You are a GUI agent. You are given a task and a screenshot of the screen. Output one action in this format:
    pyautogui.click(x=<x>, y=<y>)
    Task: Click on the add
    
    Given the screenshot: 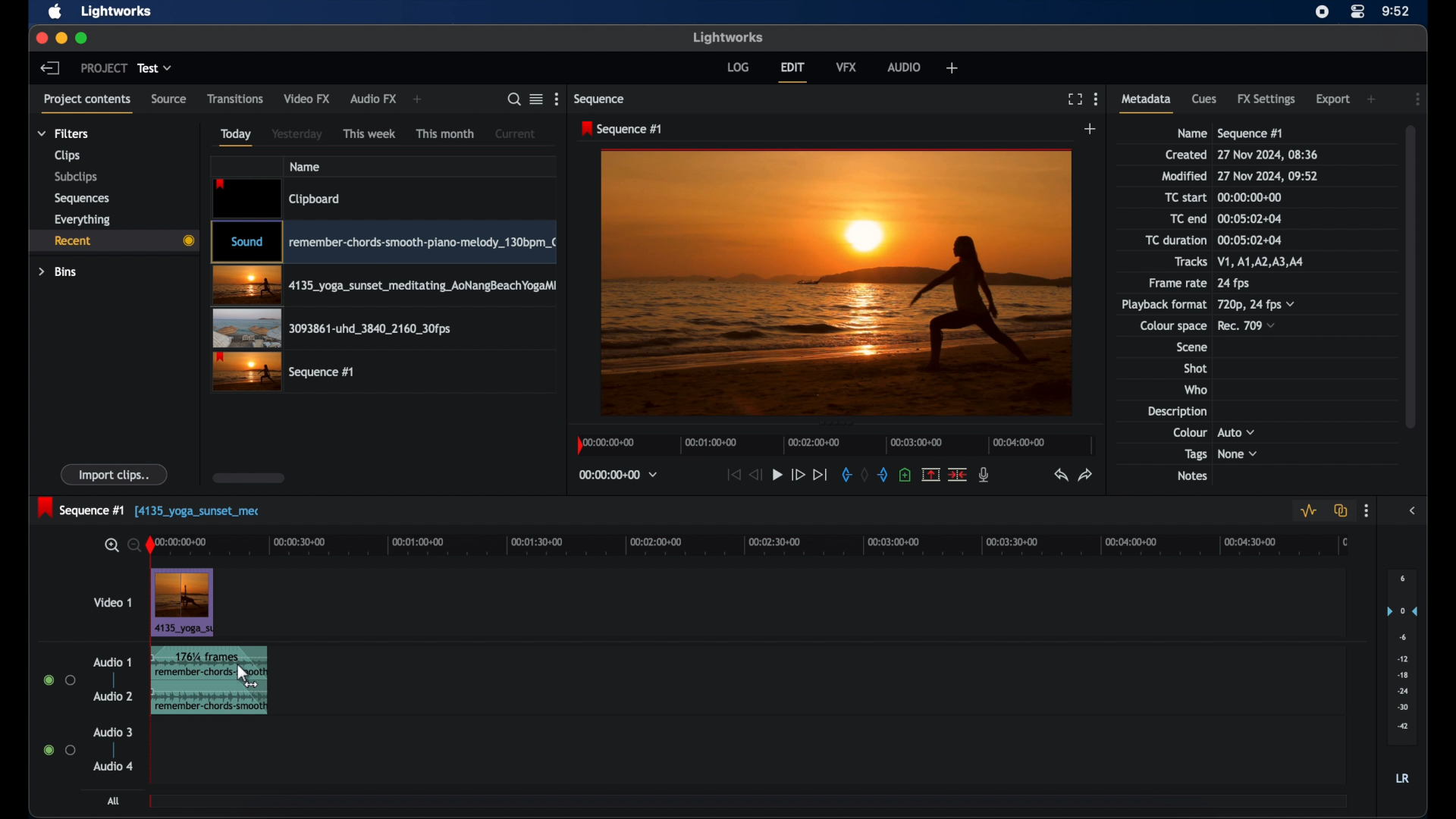 What is the action you would take?
    pyautogui.click(x=1373, y=99)
    